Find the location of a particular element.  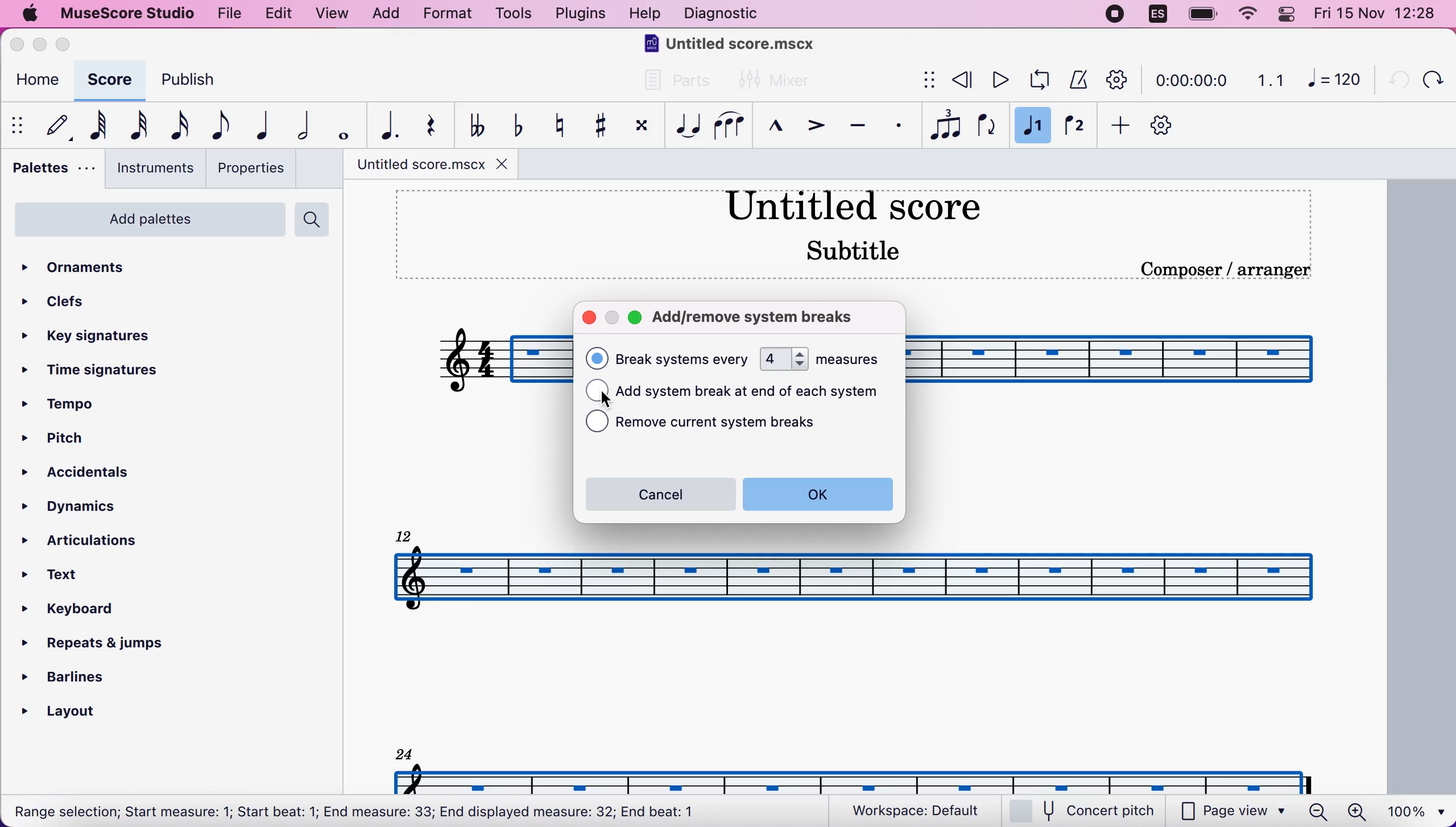

customization tool is located at coordinates (1172, 126).